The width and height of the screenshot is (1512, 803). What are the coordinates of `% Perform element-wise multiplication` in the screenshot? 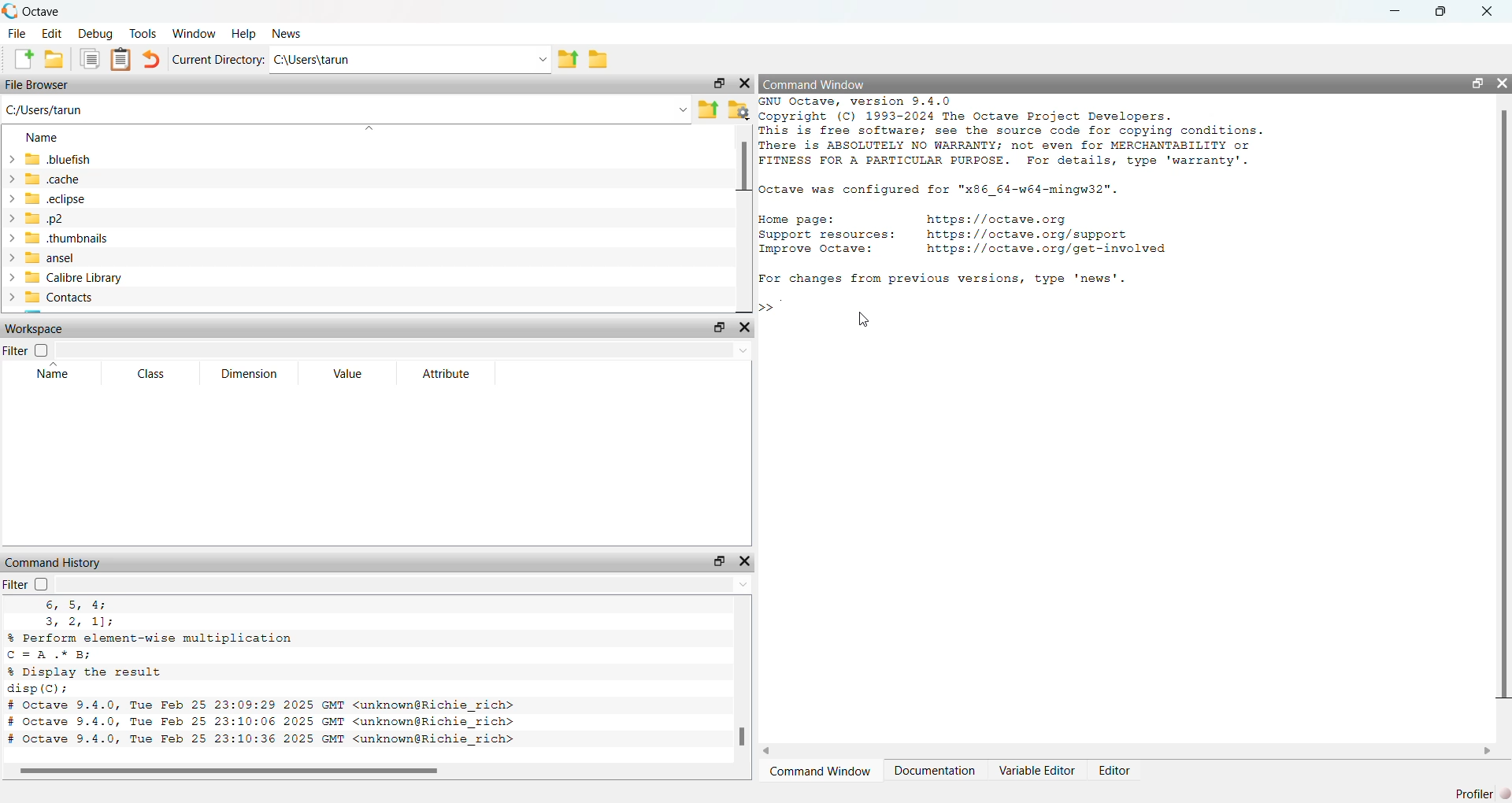 It's located at (151, 637).